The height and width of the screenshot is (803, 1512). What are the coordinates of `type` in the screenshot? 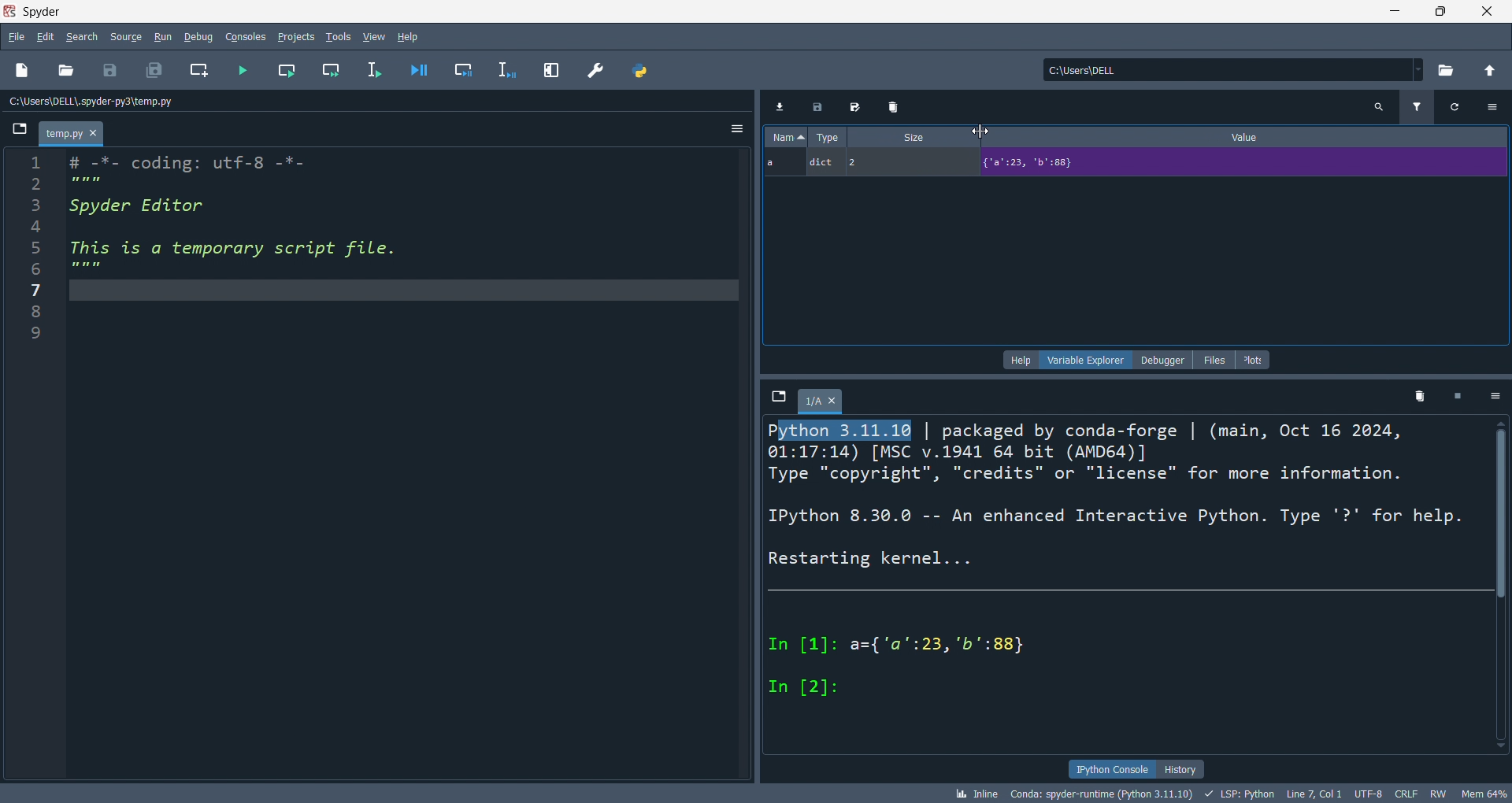 It's located at (831, 138).